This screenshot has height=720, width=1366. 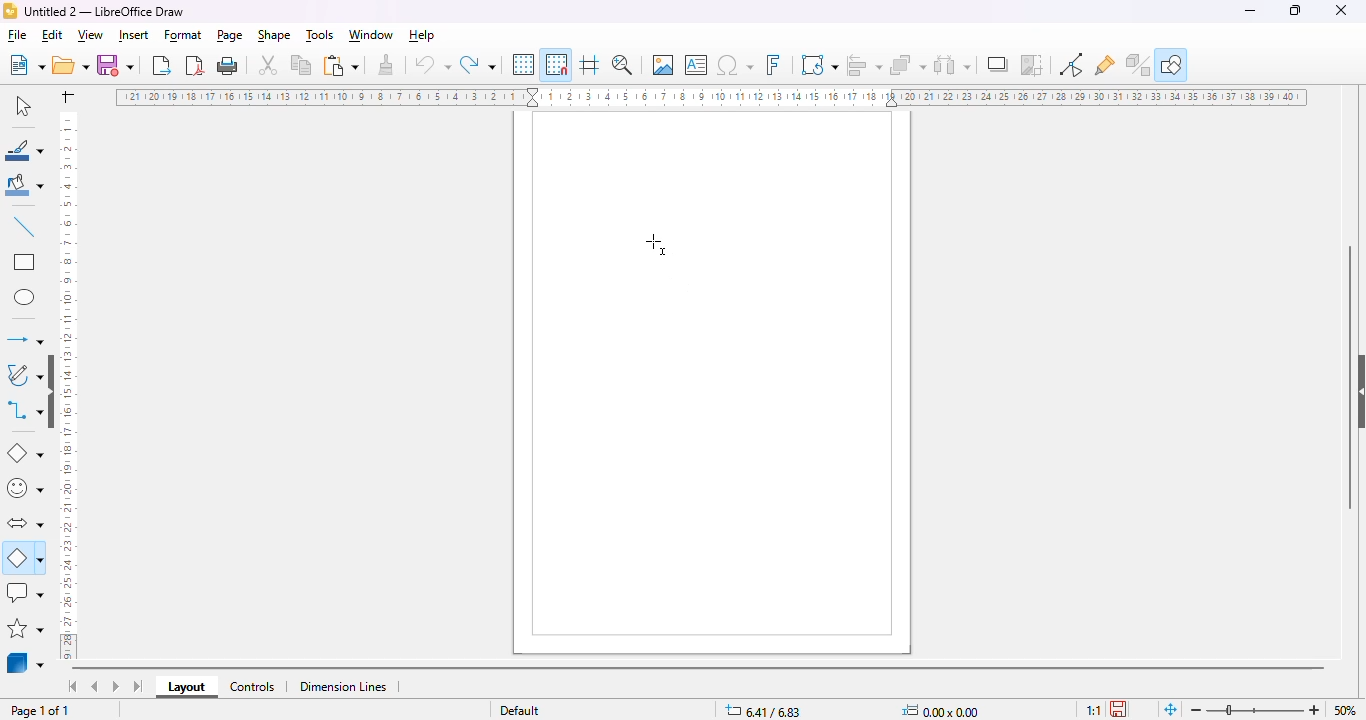 What do you see at coordinates (772, 709) in the screenshot?
I see `position and size coordinates` at bounding box center [772, 709].